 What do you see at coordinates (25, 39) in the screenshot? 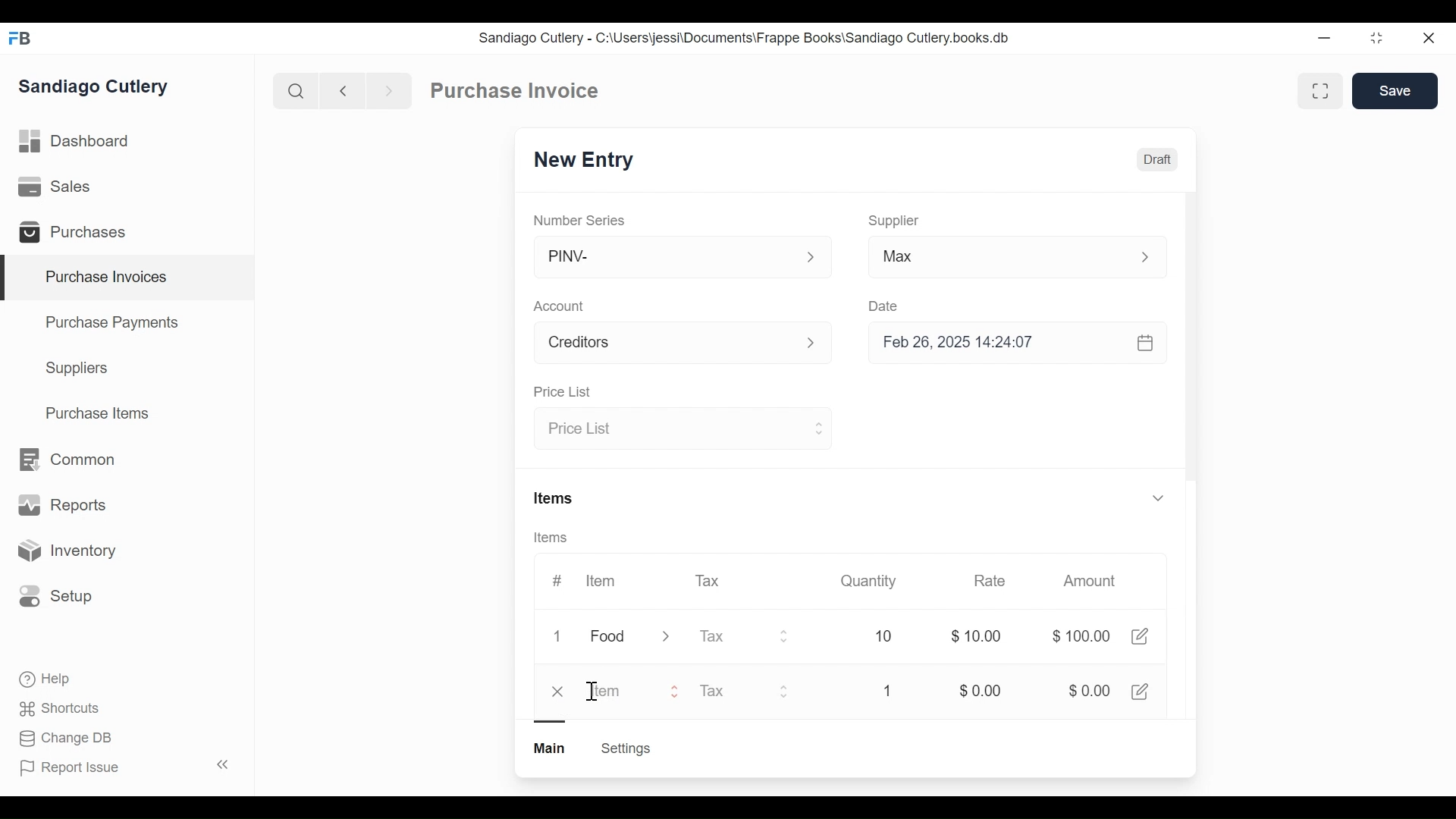
I see `Frappe Books Desktop icon` at bounding box center [25, 39].